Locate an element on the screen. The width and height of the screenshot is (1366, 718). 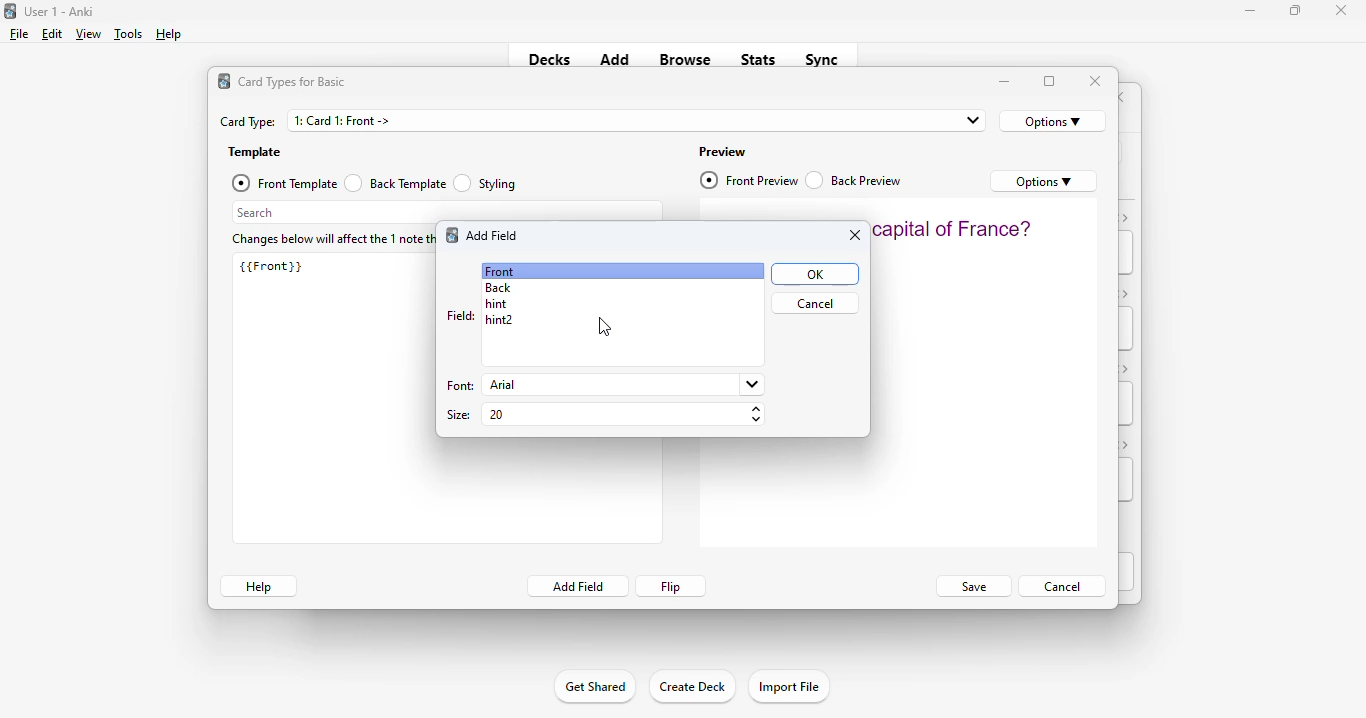
what is the capital of France? is located at coordinates (953, 228).